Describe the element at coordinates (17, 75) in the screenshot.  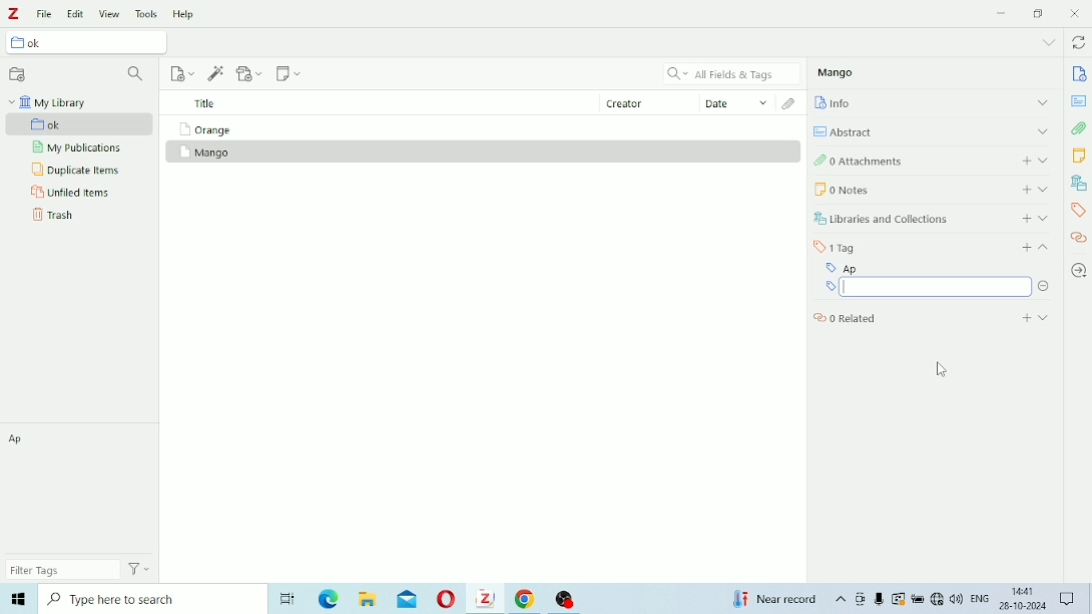
I see `New Collection` at that location.